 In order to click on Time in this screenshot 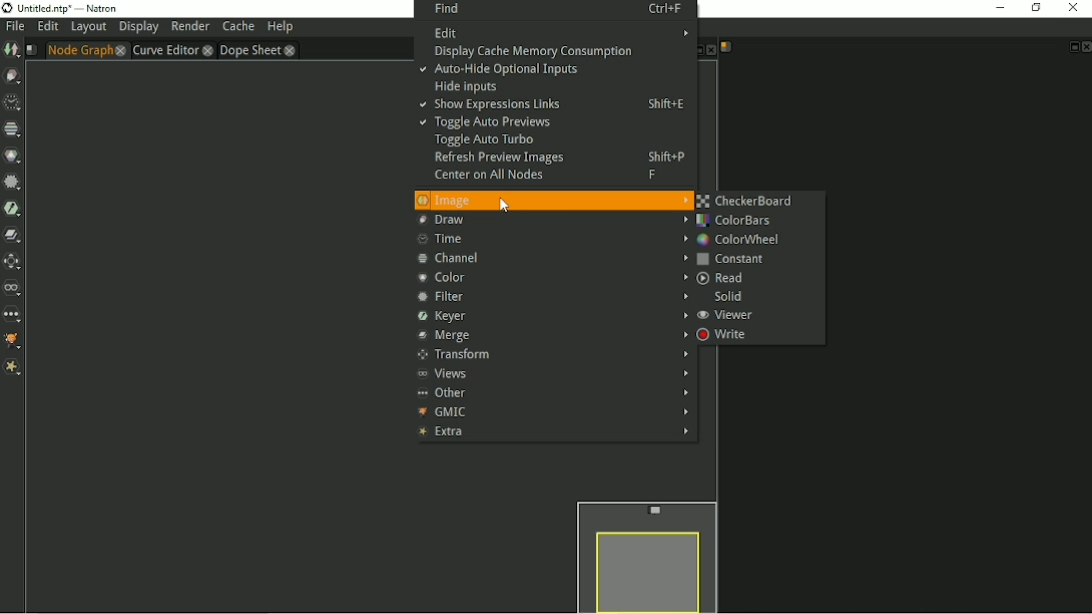, I will do `click(549, 239)`.